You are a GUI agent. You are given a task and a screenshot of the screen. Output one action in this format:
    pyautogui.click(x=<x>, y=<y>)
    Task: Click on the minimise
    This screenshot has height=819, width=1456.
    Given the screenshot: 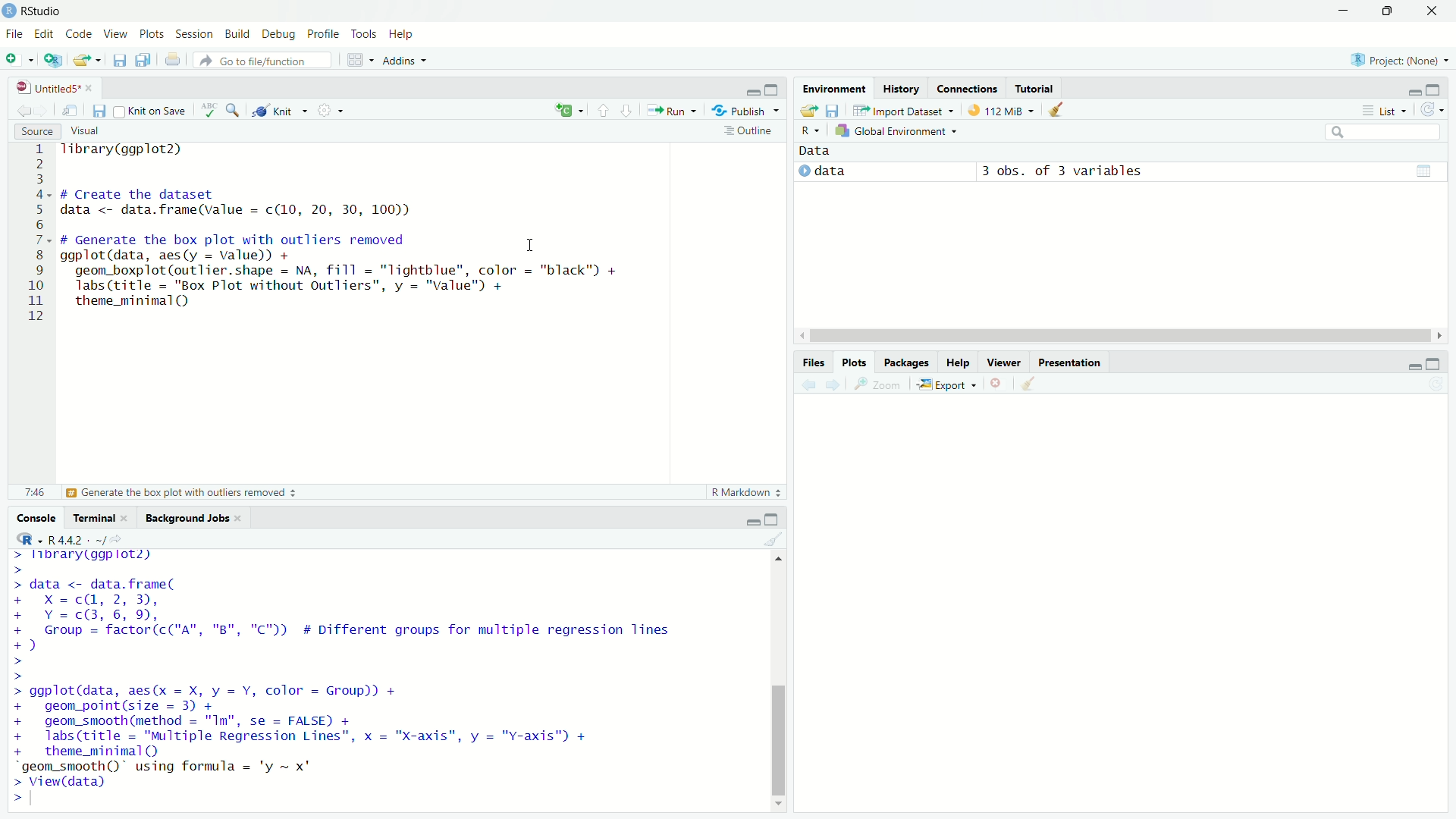 What is the action you would take?
    pyautogui.click(x=1405, y=90)
    